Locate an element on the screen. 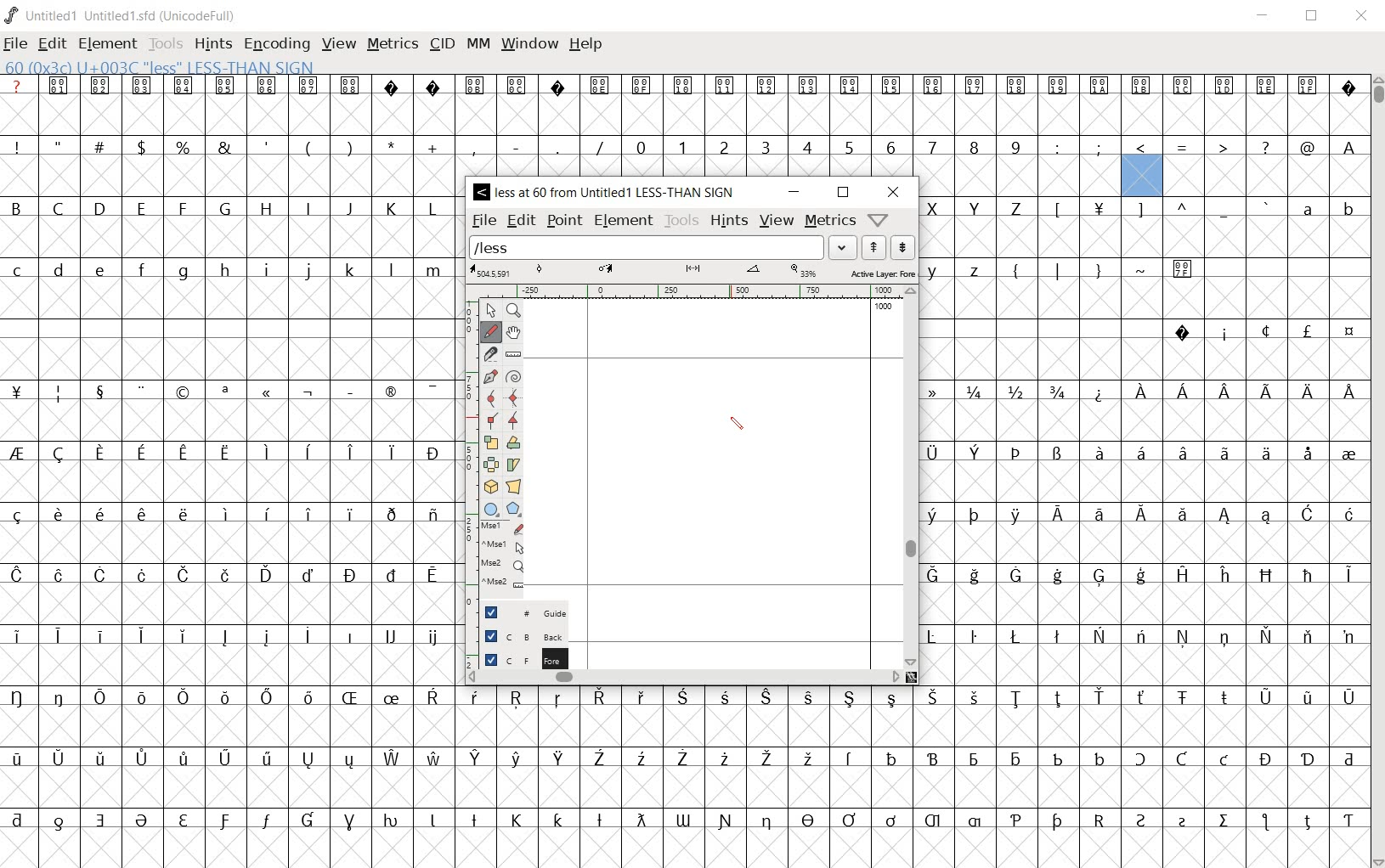 This screenshot has width=1385, height=868. scroll by hand is located at coordinates (513, 332).